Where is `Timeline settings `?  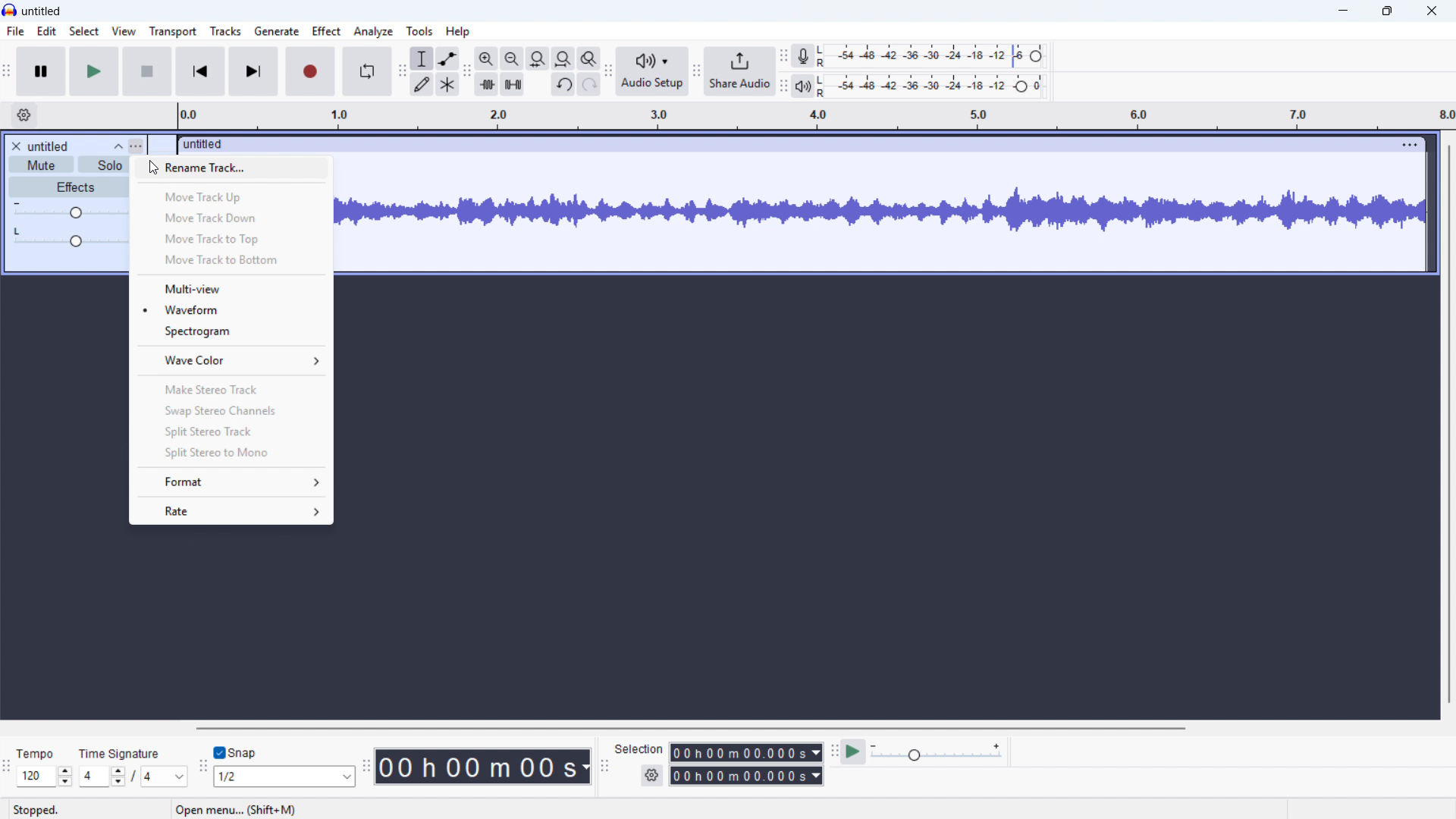
Timeline settings  is located at coordinates (24, 116).